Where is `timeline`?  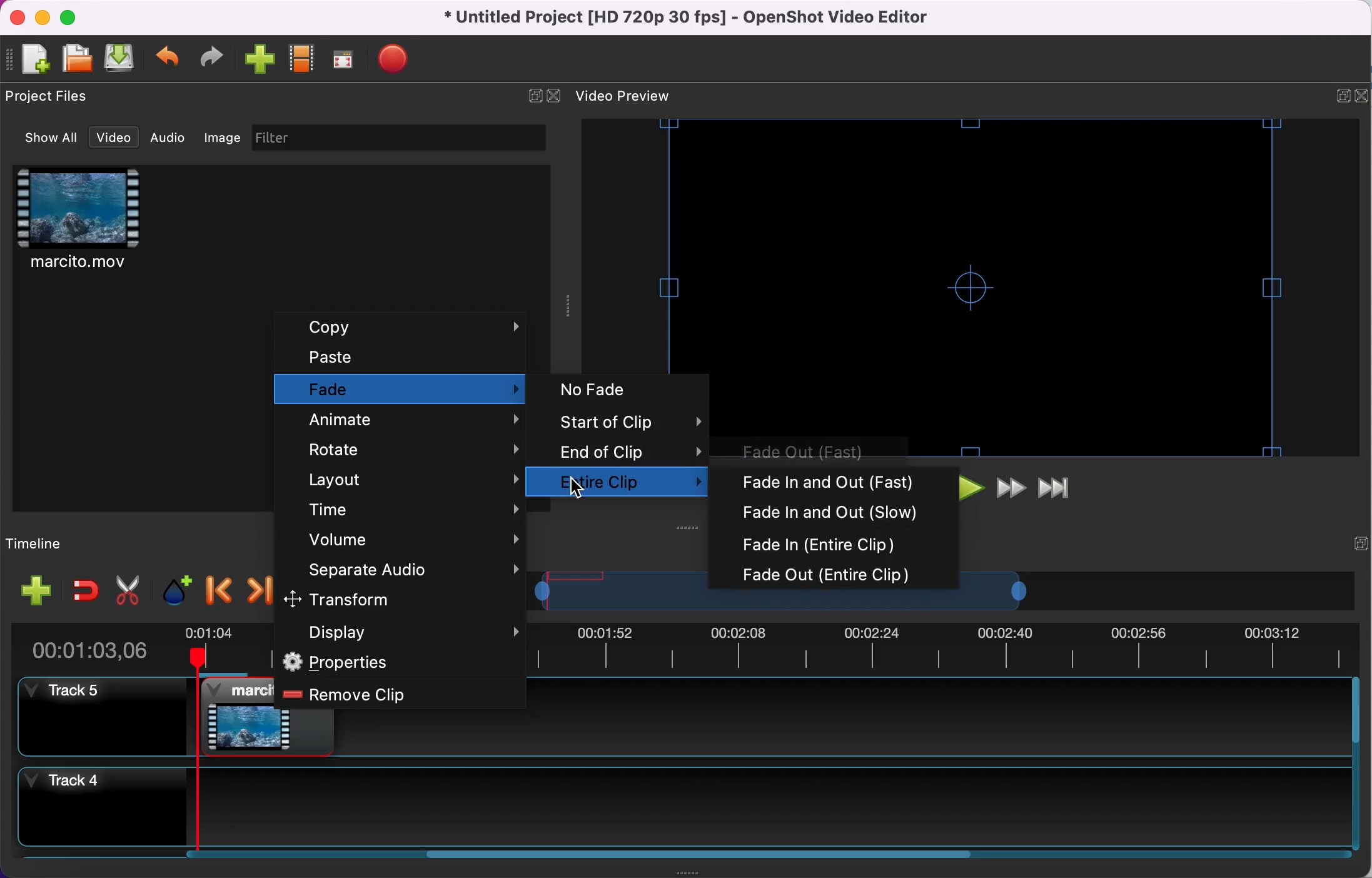
timeline is located at coordinates (753, 805).